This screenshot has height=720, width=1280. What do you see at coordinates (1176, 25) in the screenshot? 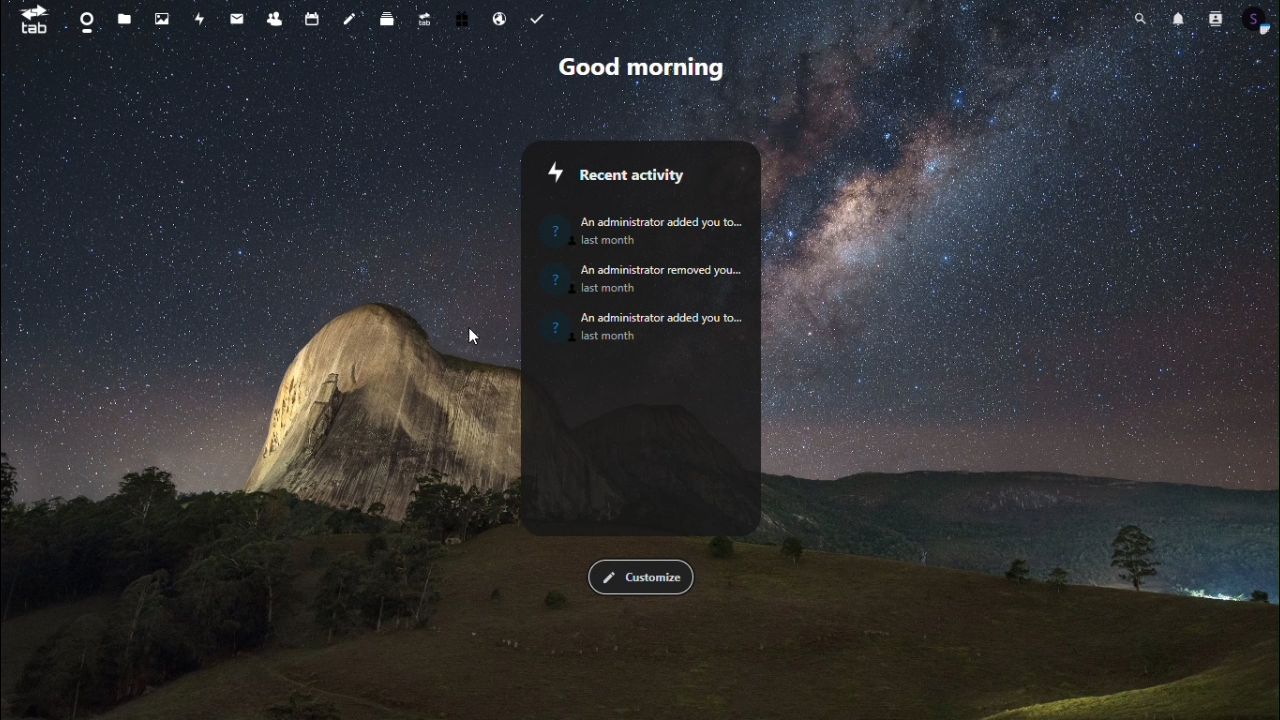
I see `notification` at bounding box center [1176, 25].